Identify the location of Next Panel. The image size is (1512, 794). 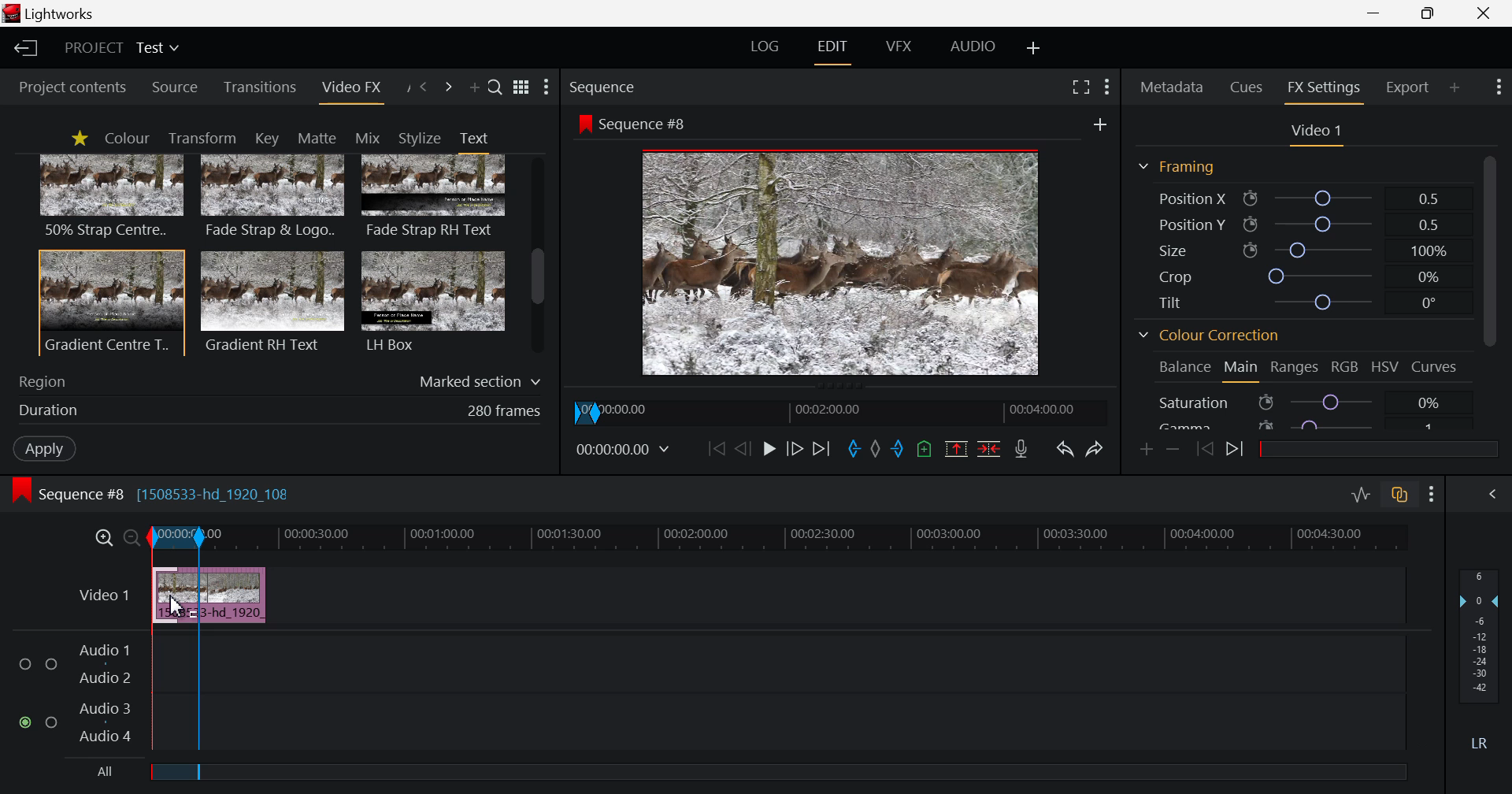
(448, 87).